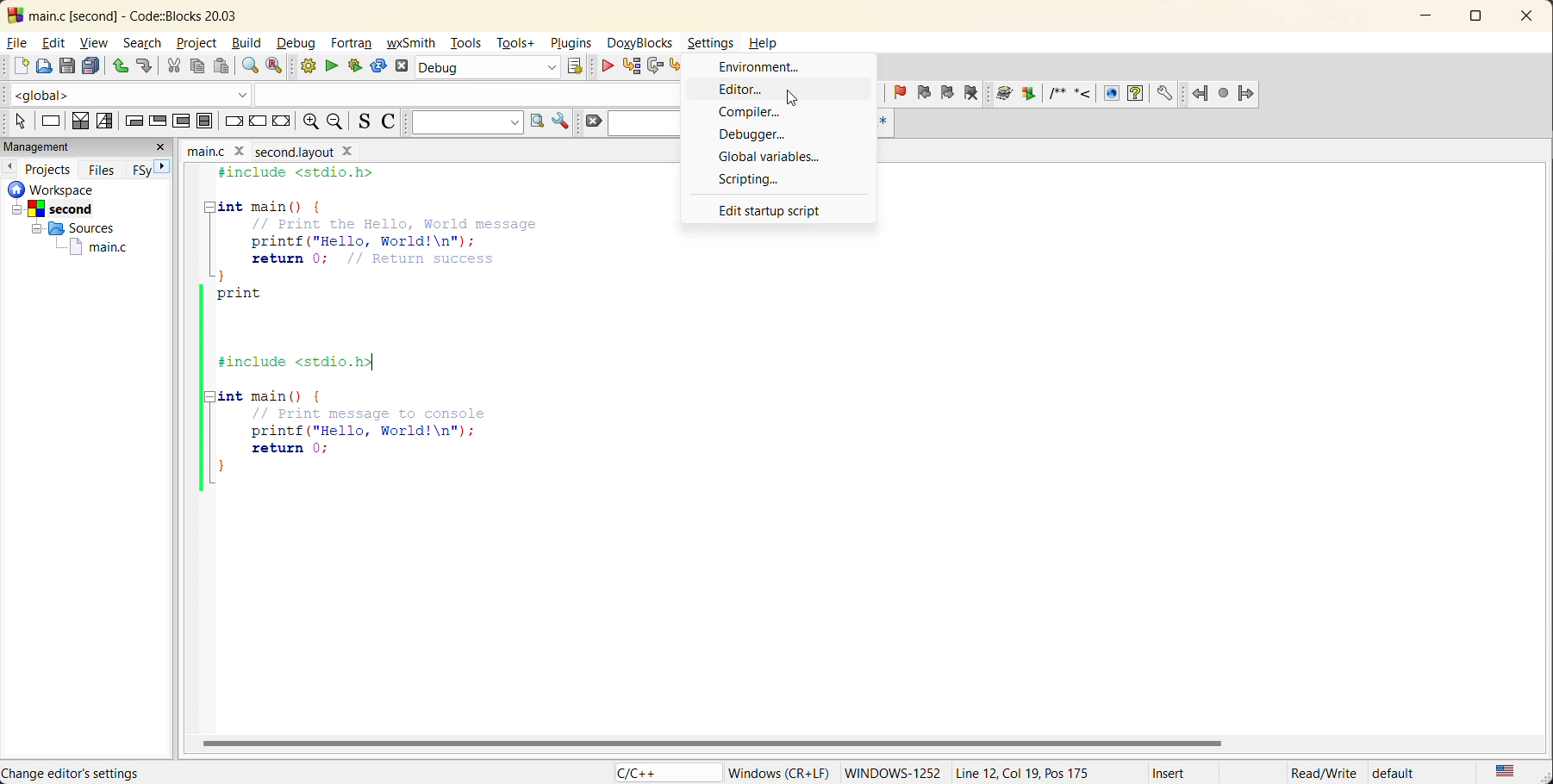 The image size is (1553, 784). What do you see at coordinates (1424, 17) in the screenshot?
I see `minimize` at bounding box center [1424, 17].